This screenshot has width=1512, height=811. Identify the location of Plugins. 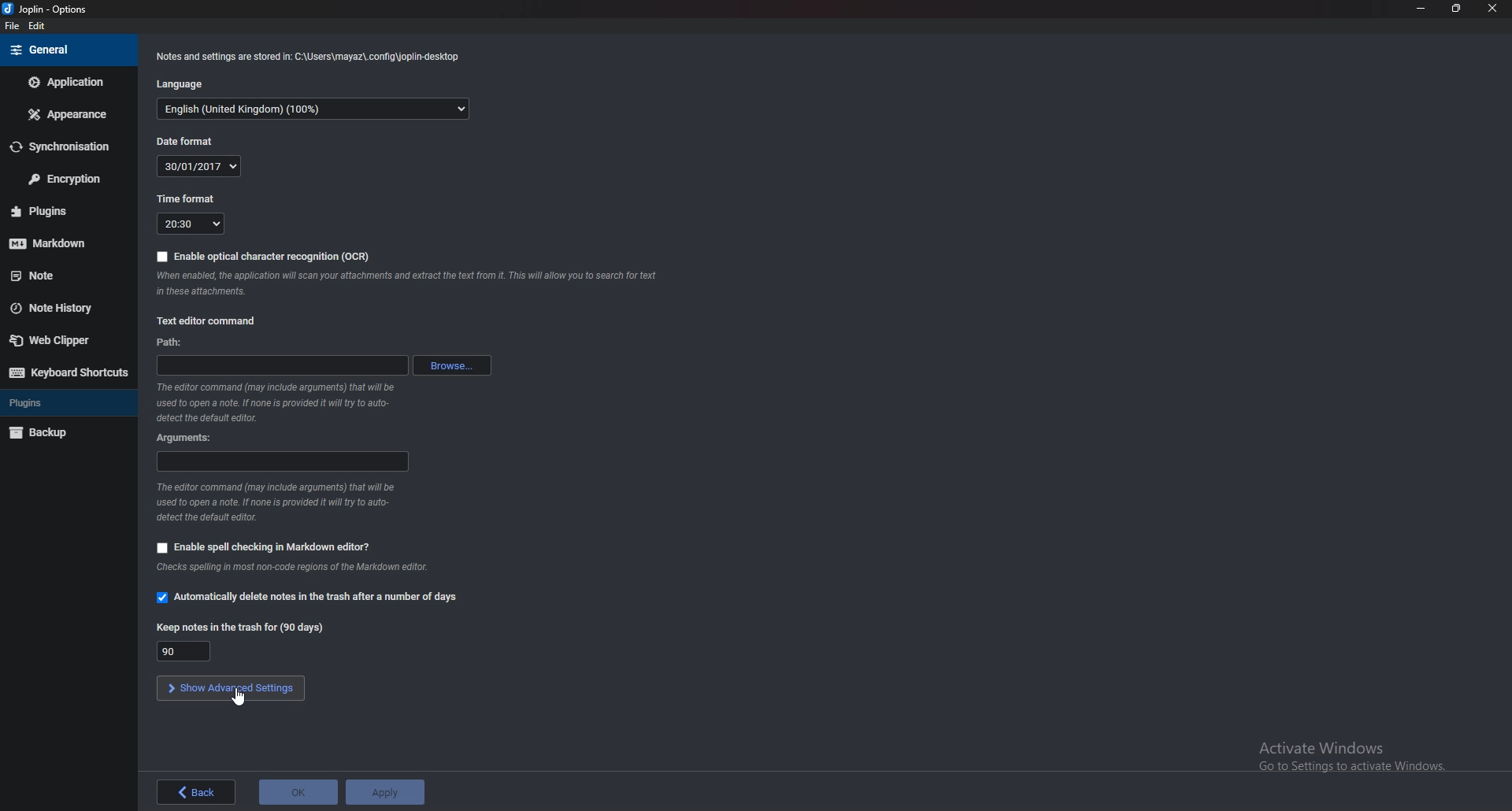
(57, 402).